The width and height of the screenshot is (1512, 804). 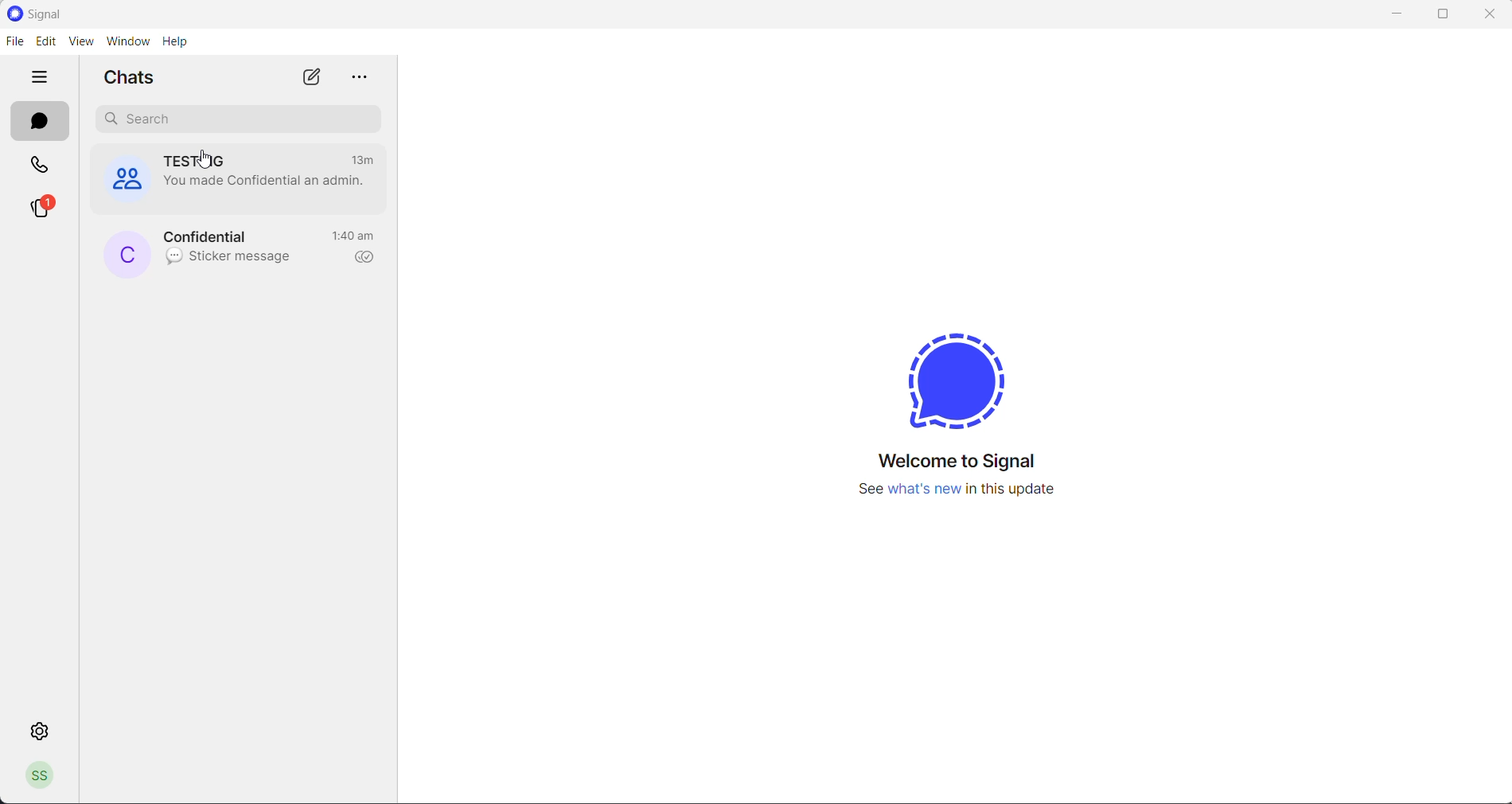 What do you see at coordinates (964, 460) in the screenshot?
I see `welcome message` at bounding box center [964, 460].